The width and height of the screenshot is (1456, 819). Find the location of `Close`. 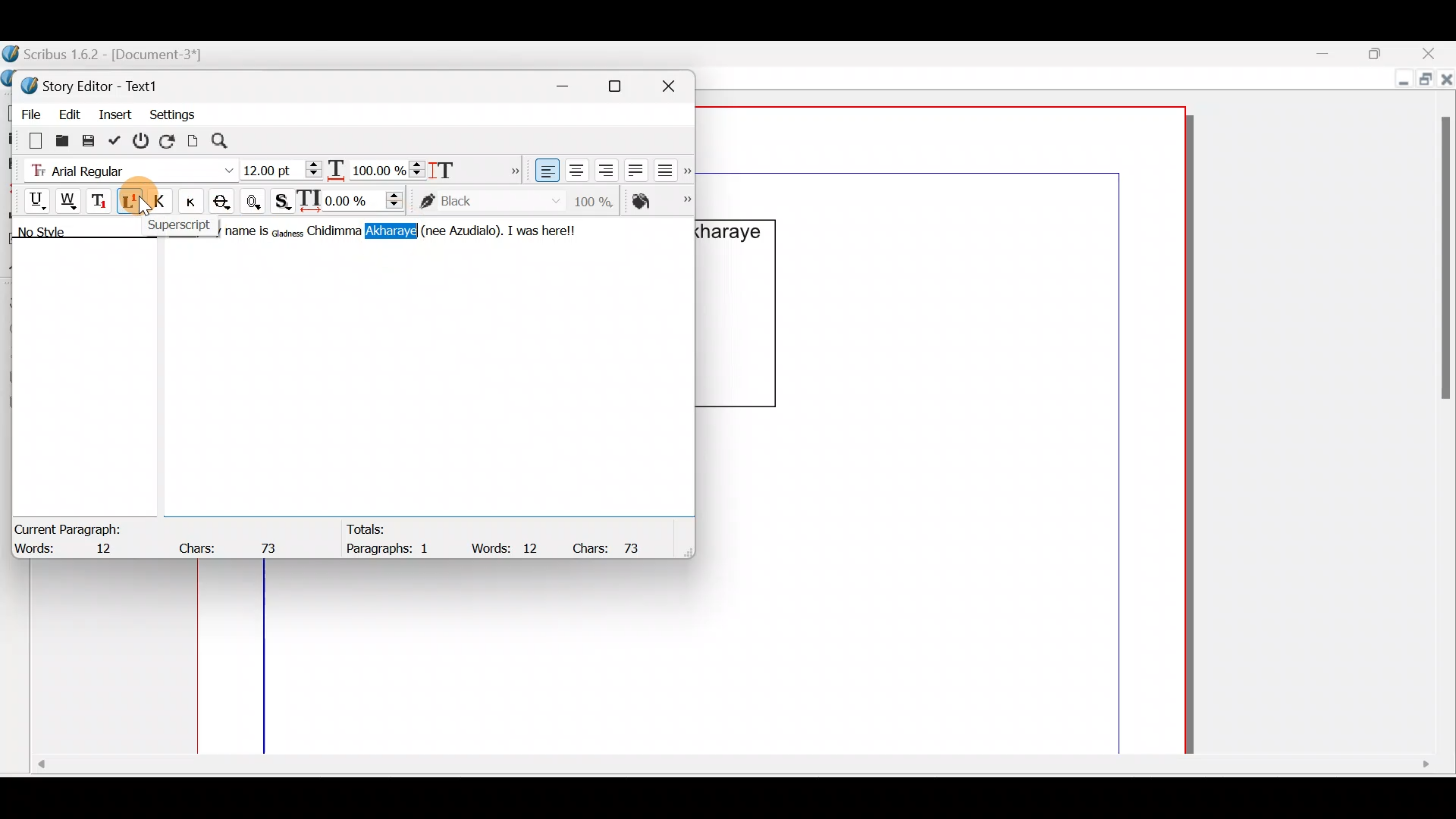

Close is located at coordinates (675, 83).